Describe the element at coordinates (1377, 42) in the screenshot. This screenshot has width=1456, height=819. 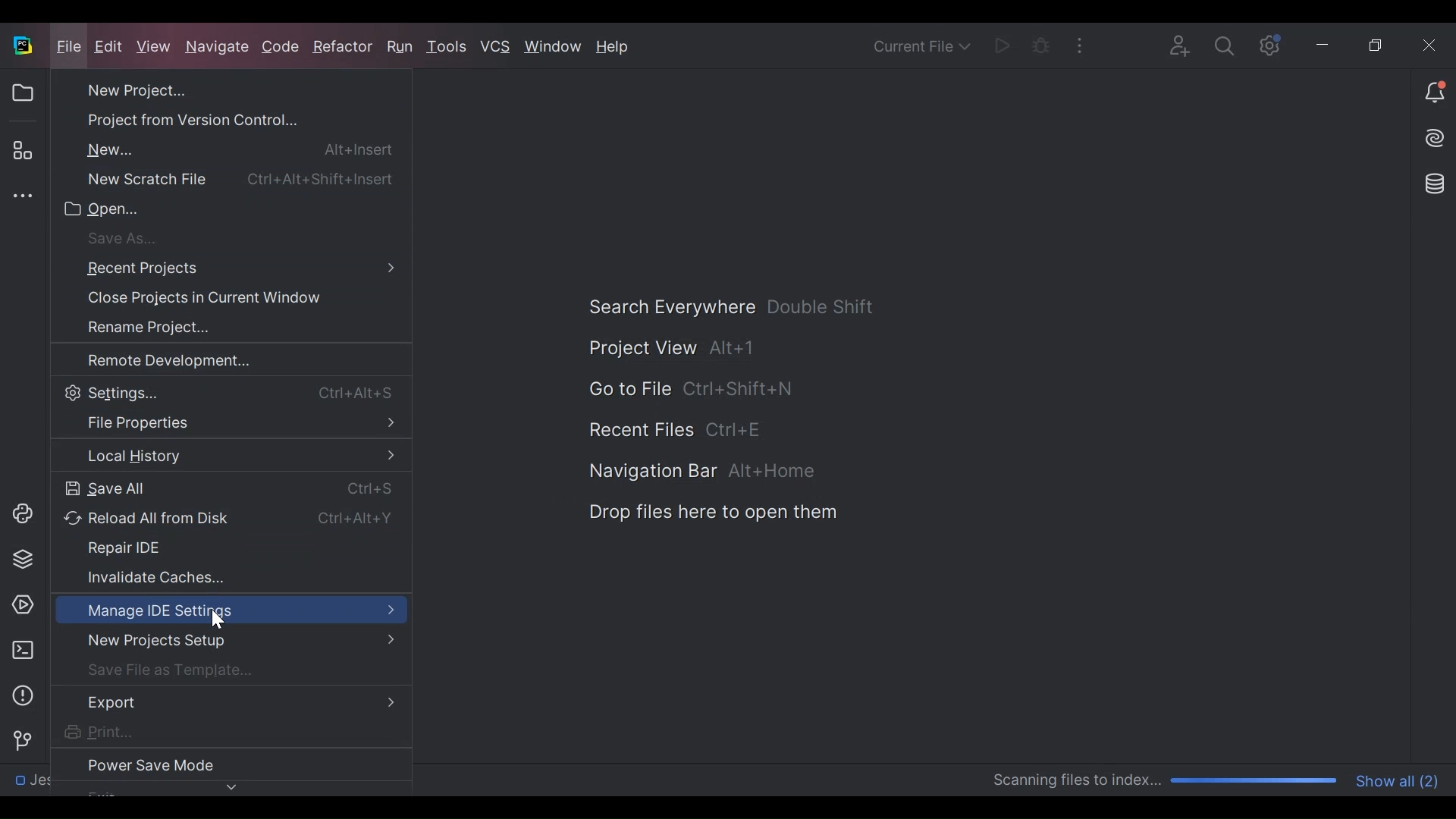
I see `Restore` at that location.